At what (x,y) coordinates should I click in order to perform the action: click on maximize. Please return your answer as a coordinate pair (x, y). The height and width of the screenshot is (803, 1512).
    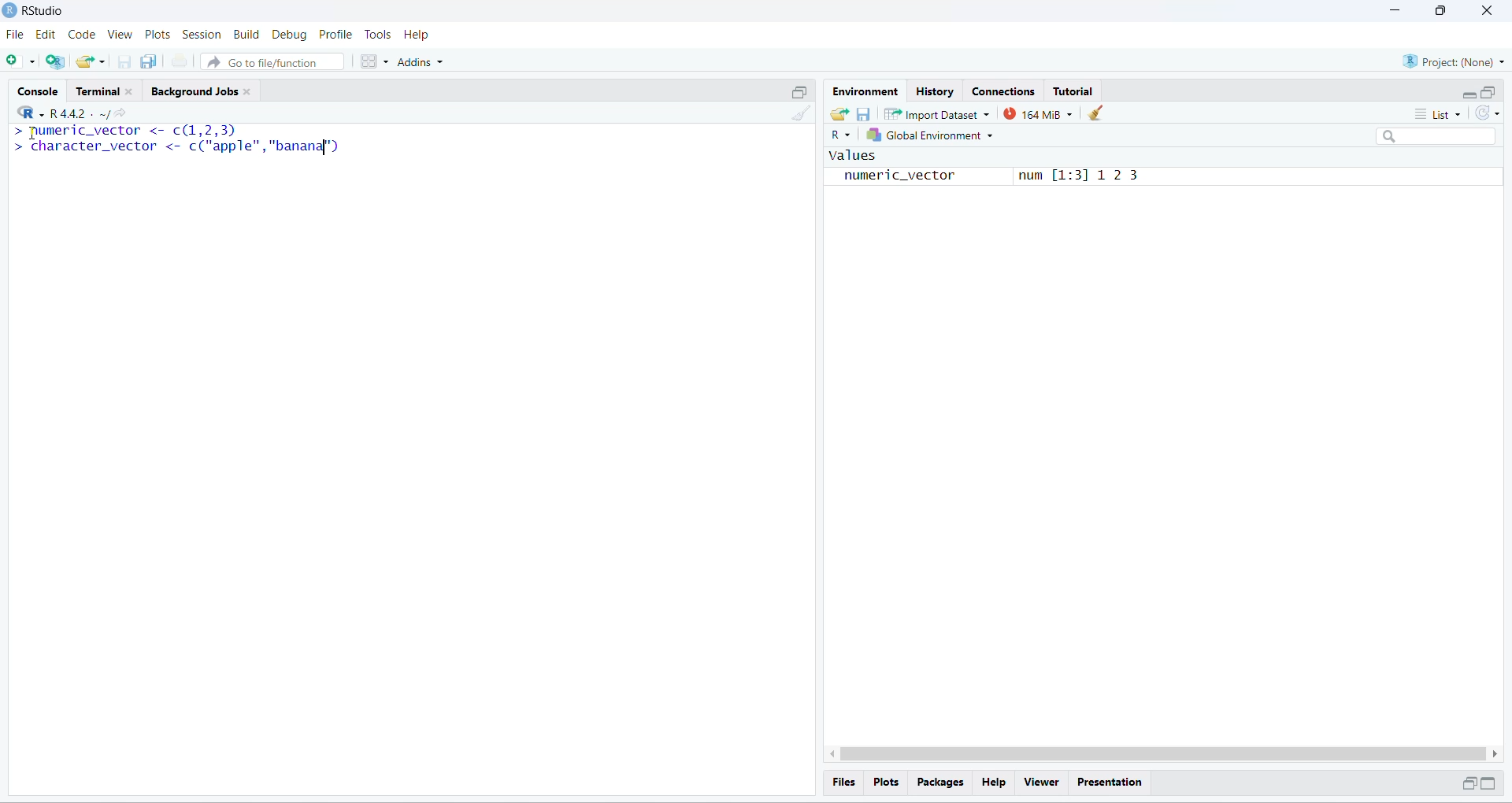
    Looking at the image, I should click on (799, 91).